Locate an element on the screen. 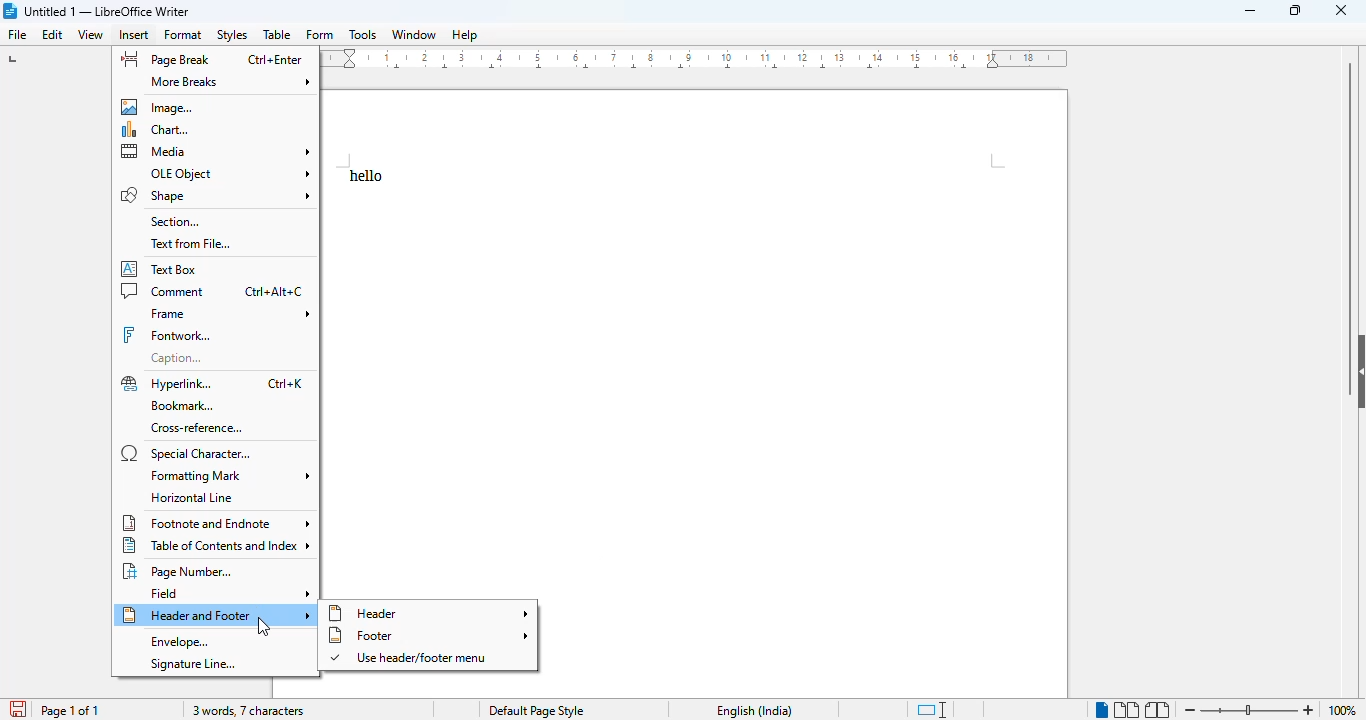  formatting mark is located at coordinates (228, 475).